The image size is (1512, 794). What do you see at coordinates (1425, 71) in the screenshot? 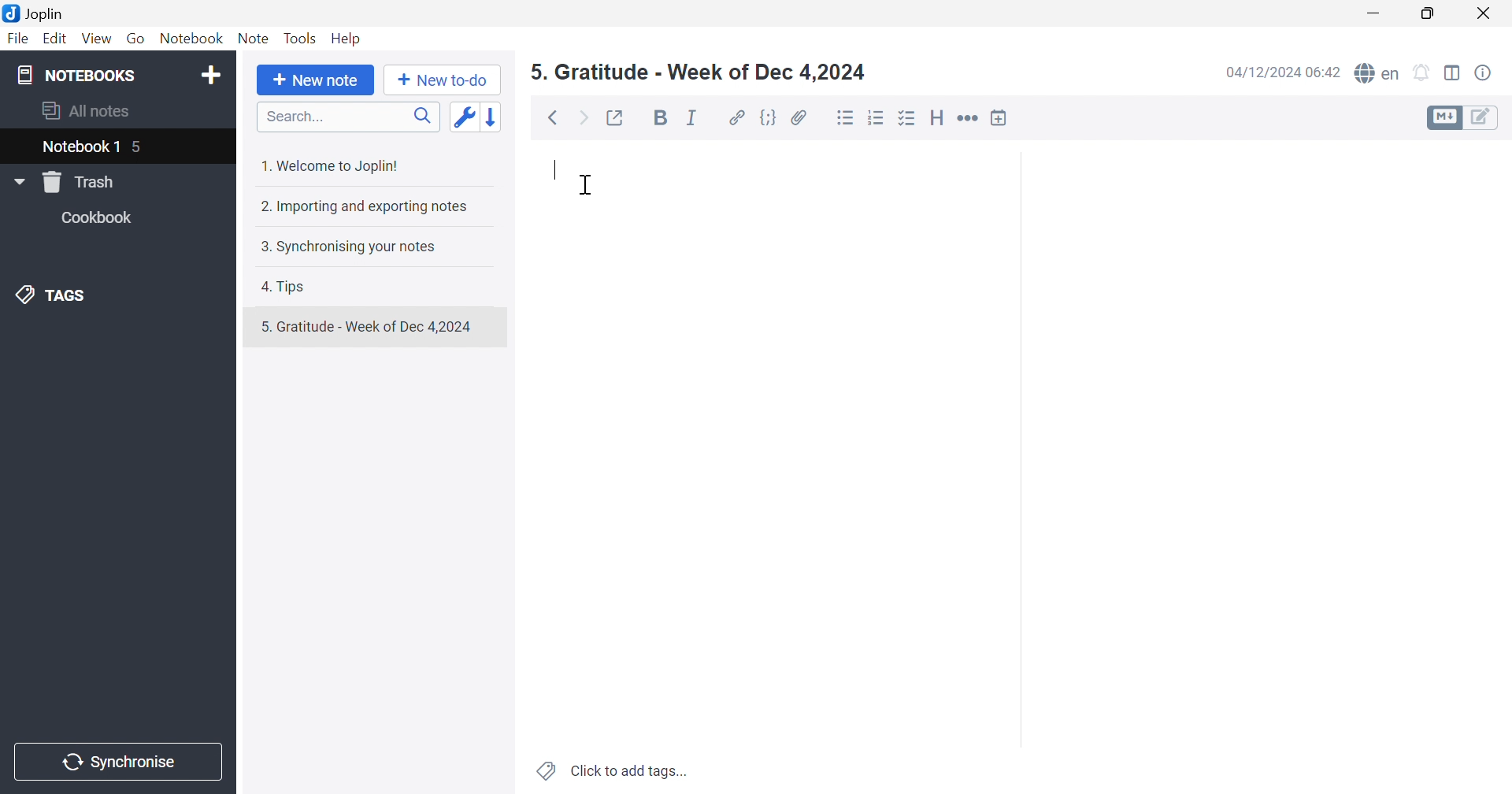
I see `Set alarm` at bounding box center [1425, 71].